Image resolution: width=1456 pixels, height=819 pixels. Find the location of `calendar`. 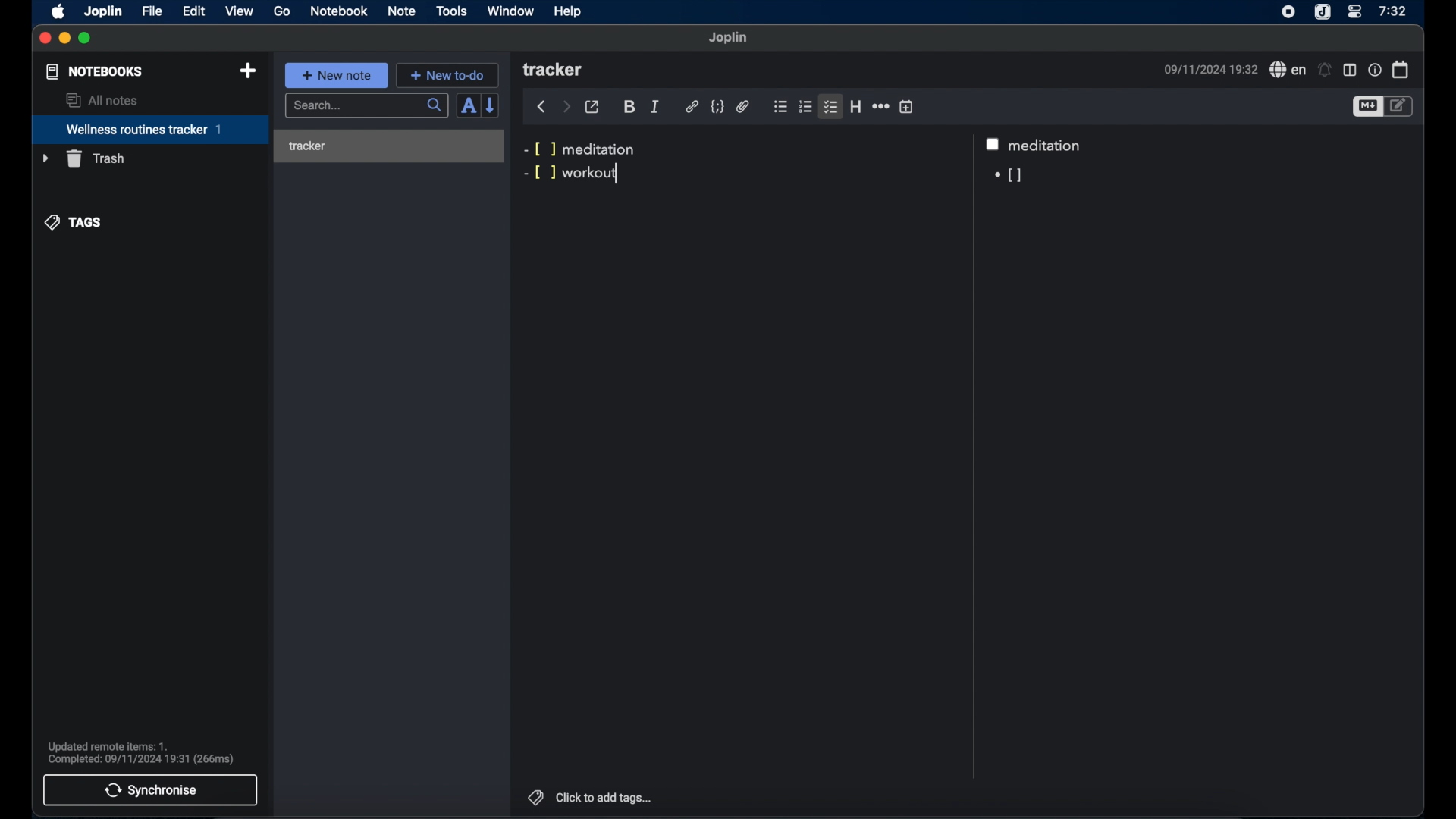

calendar is located at coordinates (1401, 69).